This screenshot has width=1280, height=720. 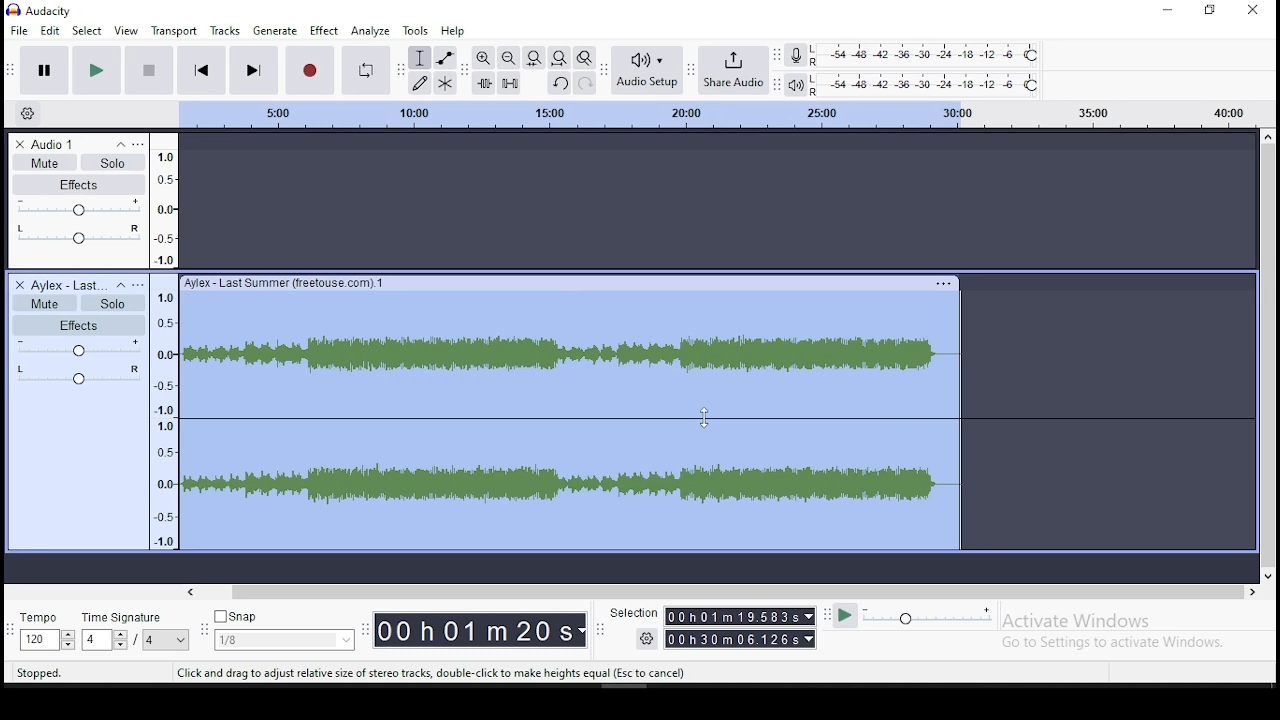 I want to click on transport, so click(x=178, y=29).